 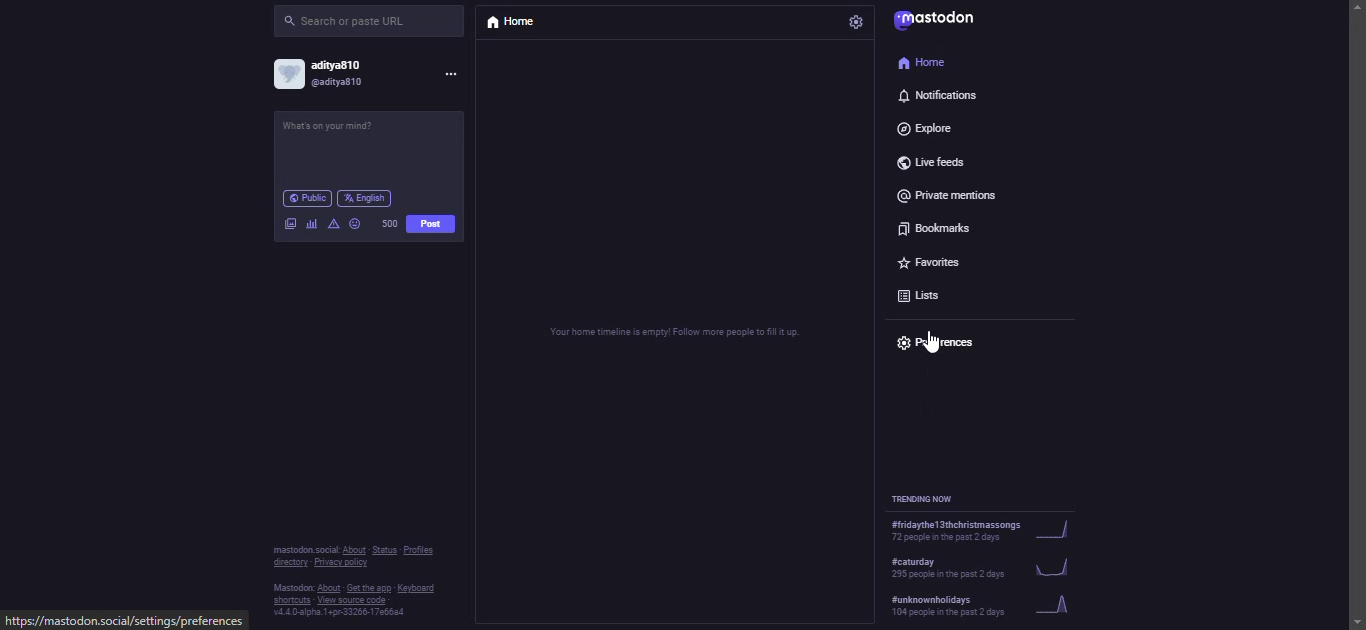 What do you see at coordinates (935, 340) in the screenshot?
I see `preferences` at bounding box center [935, 340].